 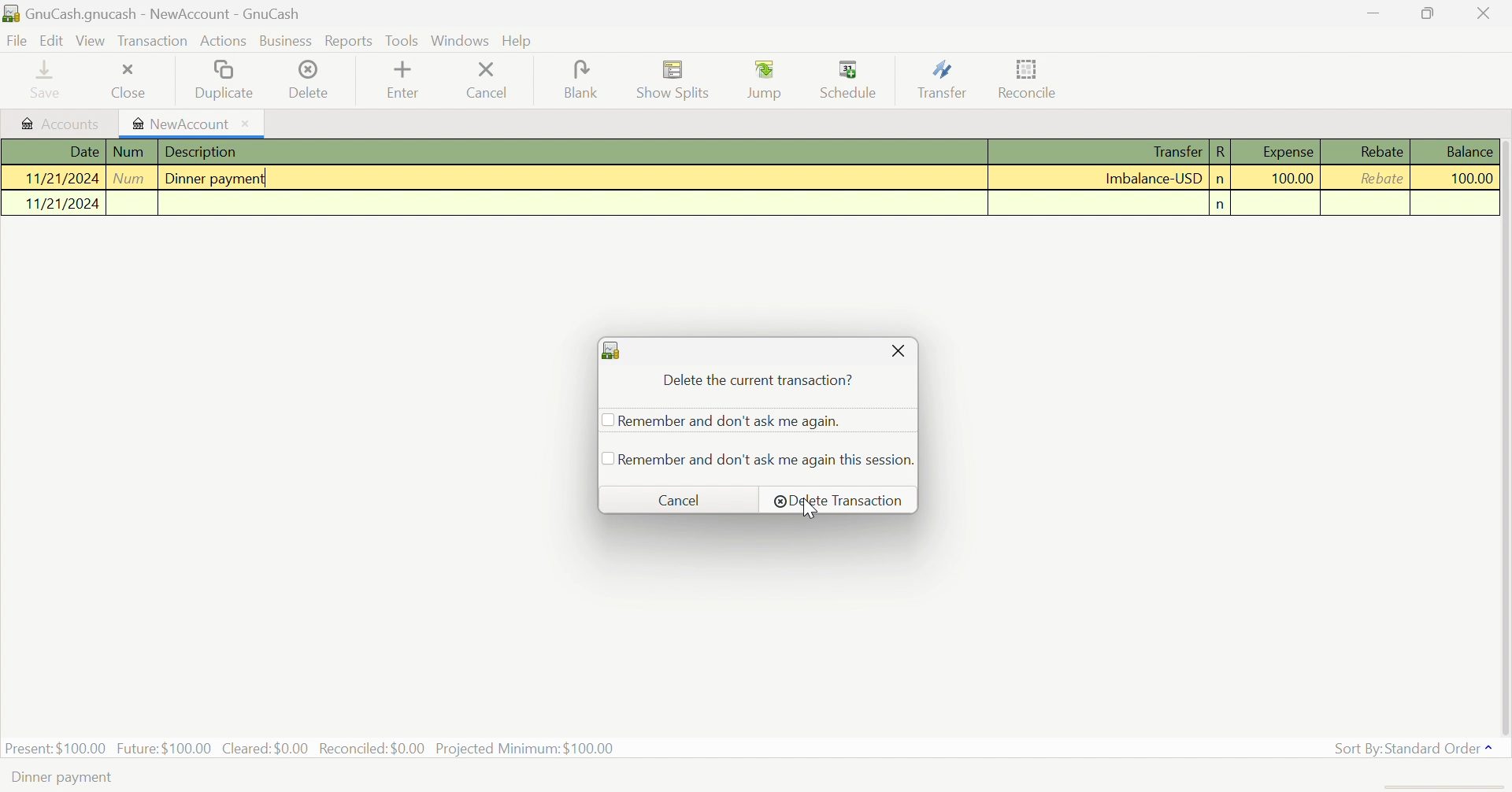 I want to click on Blank, so click(x=584, y=80).